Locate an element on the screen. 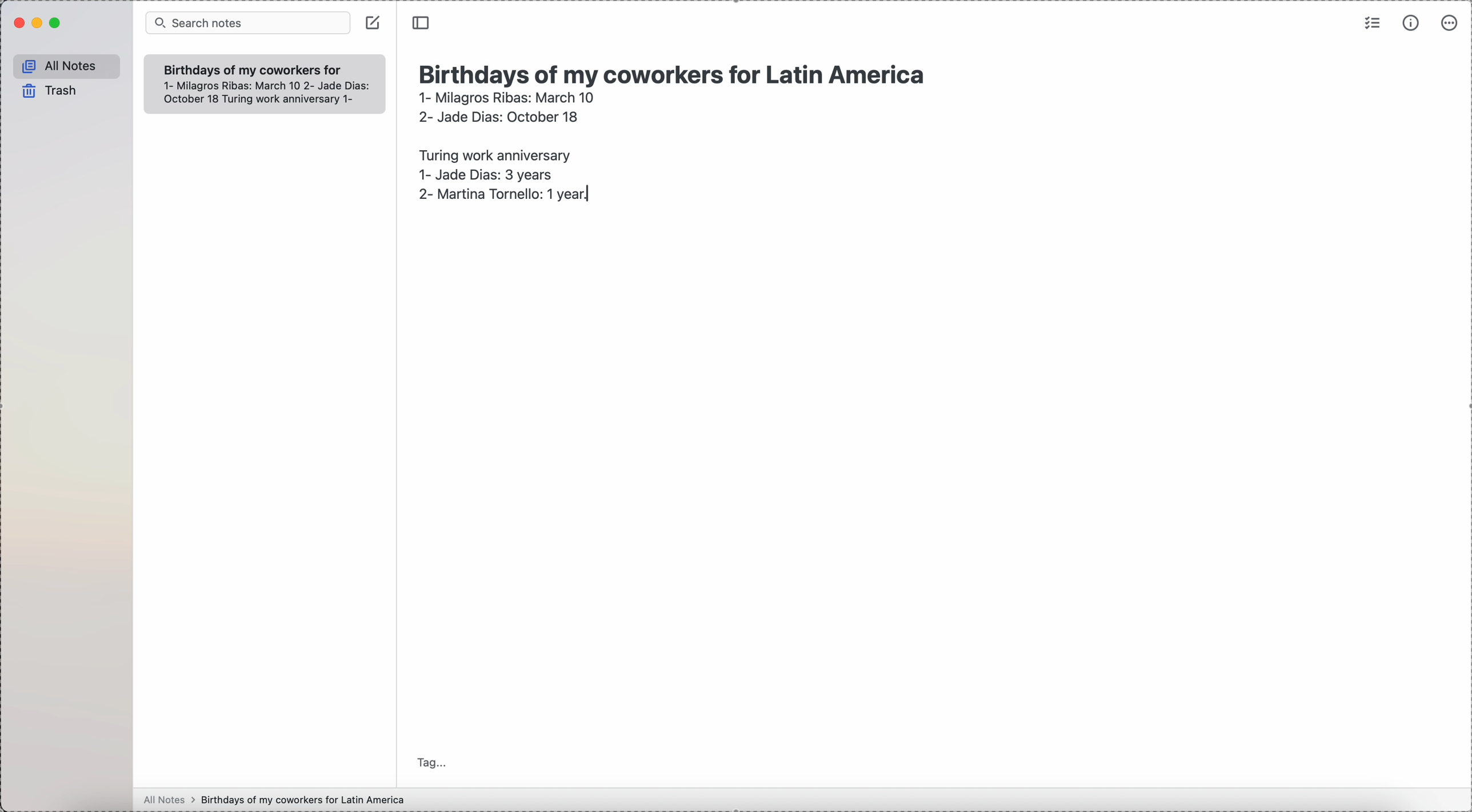  1- Jade Dias: 3 years is located at coordinates (485, 173).